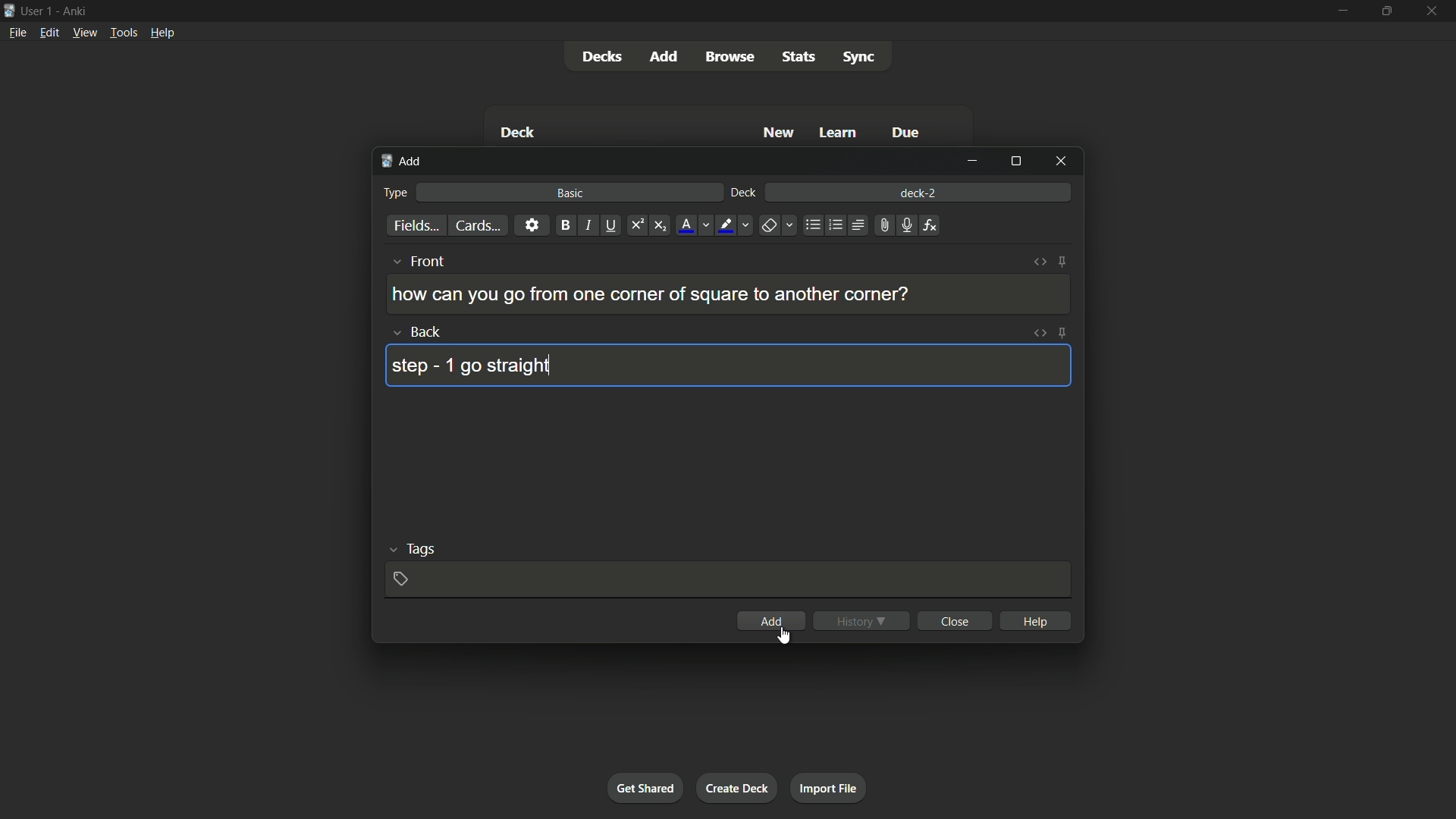 The image size is (1456, 819). Describe the element at coordinates (830, 789) in the screenshot. I see `import file` at that location.